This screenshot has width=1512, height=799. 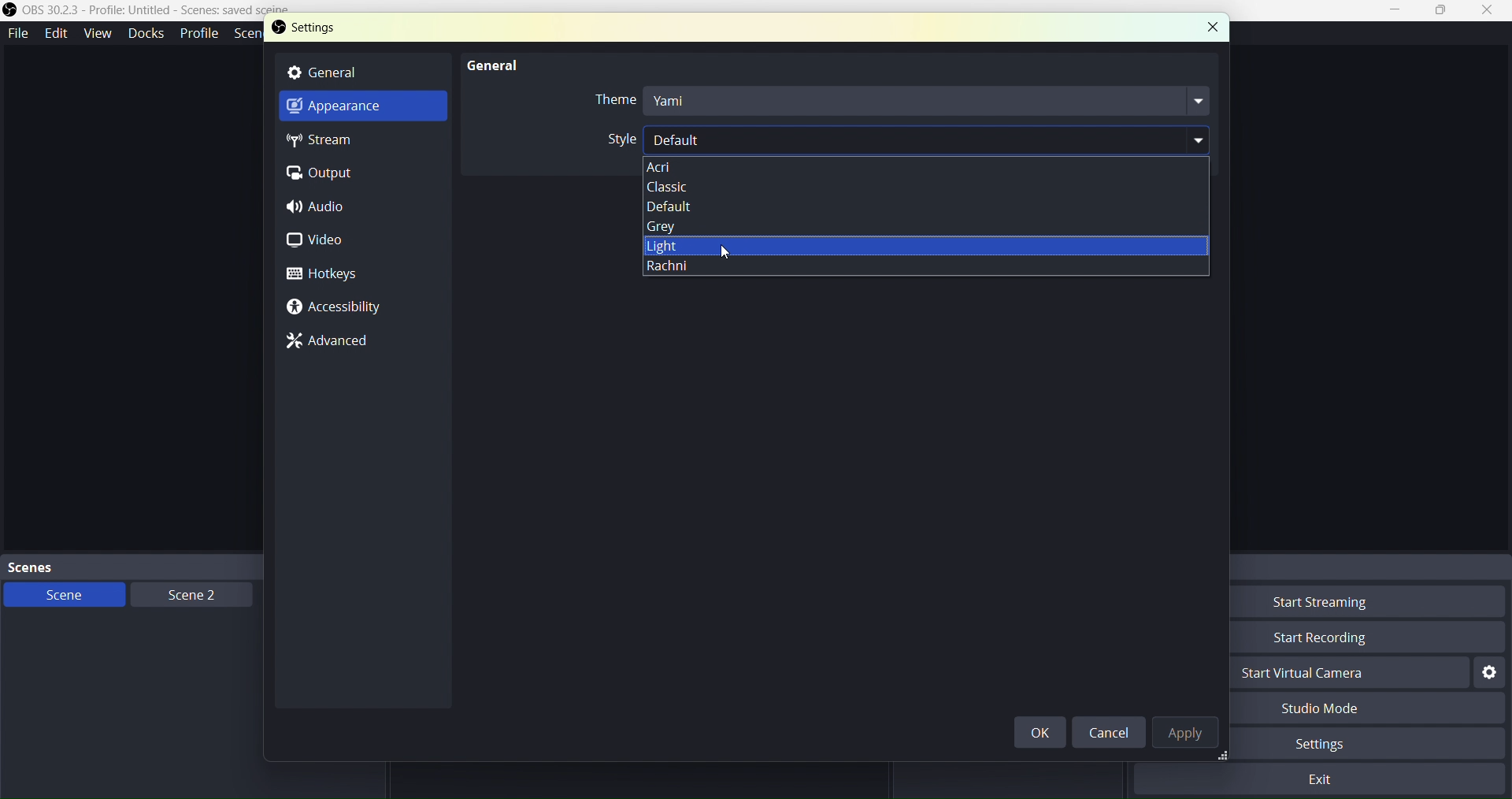 What do you see at coordinates (322, 209) in the screenshot?
I see `Audio` at bounding box center [322, 209].